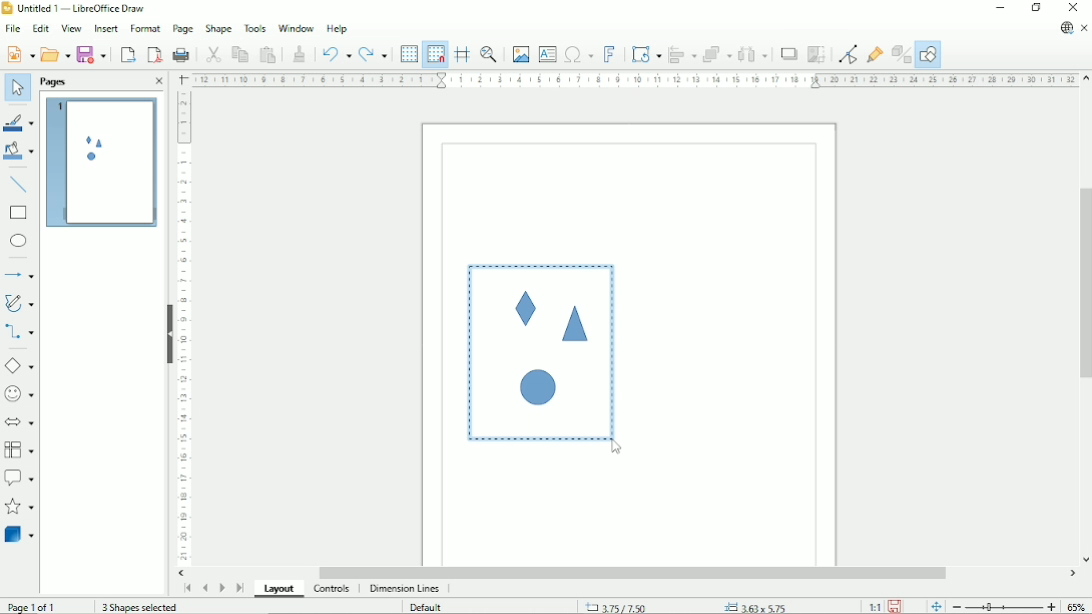  I want to click on Copy, so click(239, 53).